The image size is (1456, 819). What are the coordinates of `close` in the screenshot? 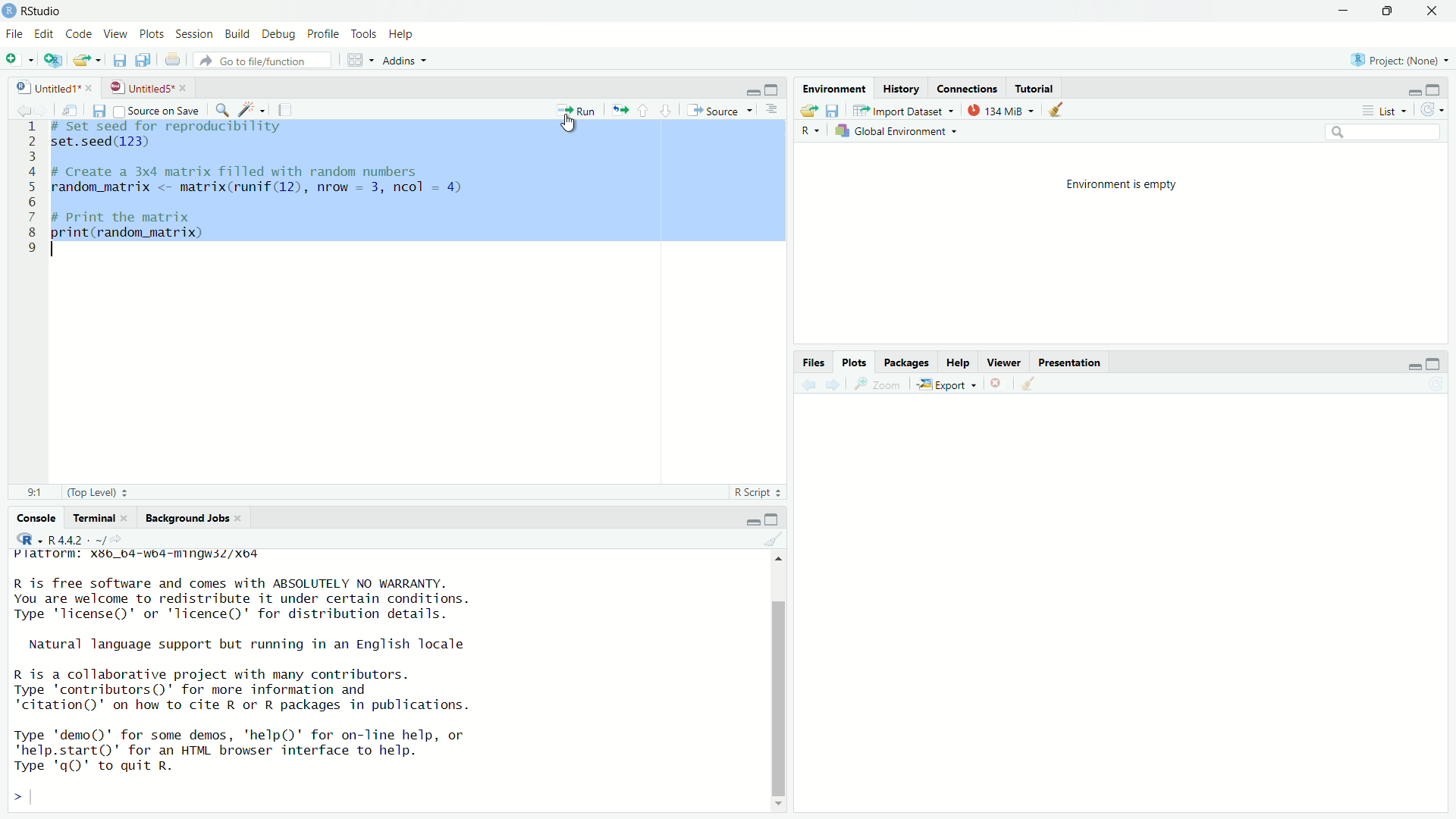 It's located at (1436, 12).